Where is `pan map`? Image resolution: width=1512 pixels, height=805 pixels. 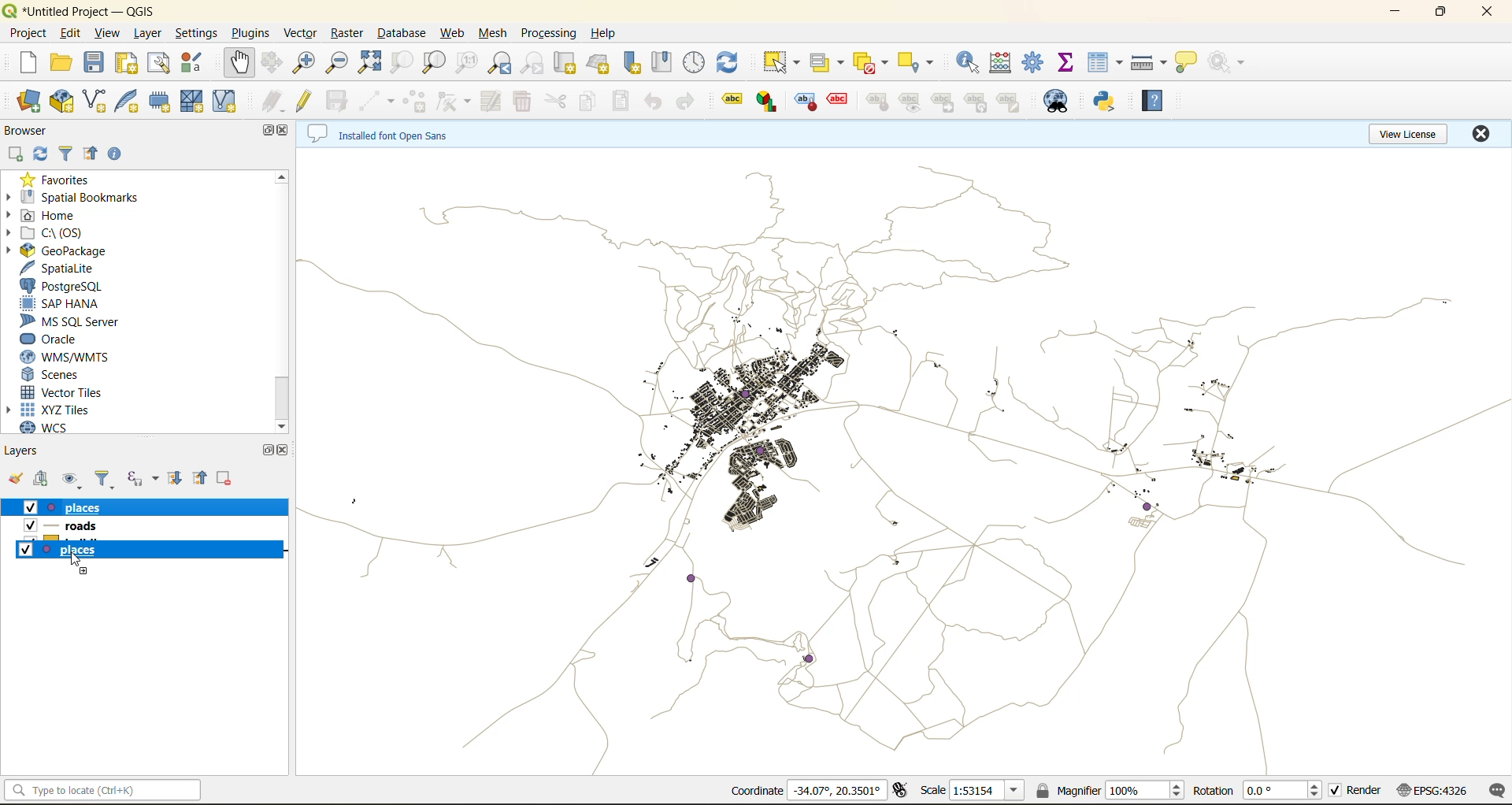 pan map is located at coordinates (246, 64).